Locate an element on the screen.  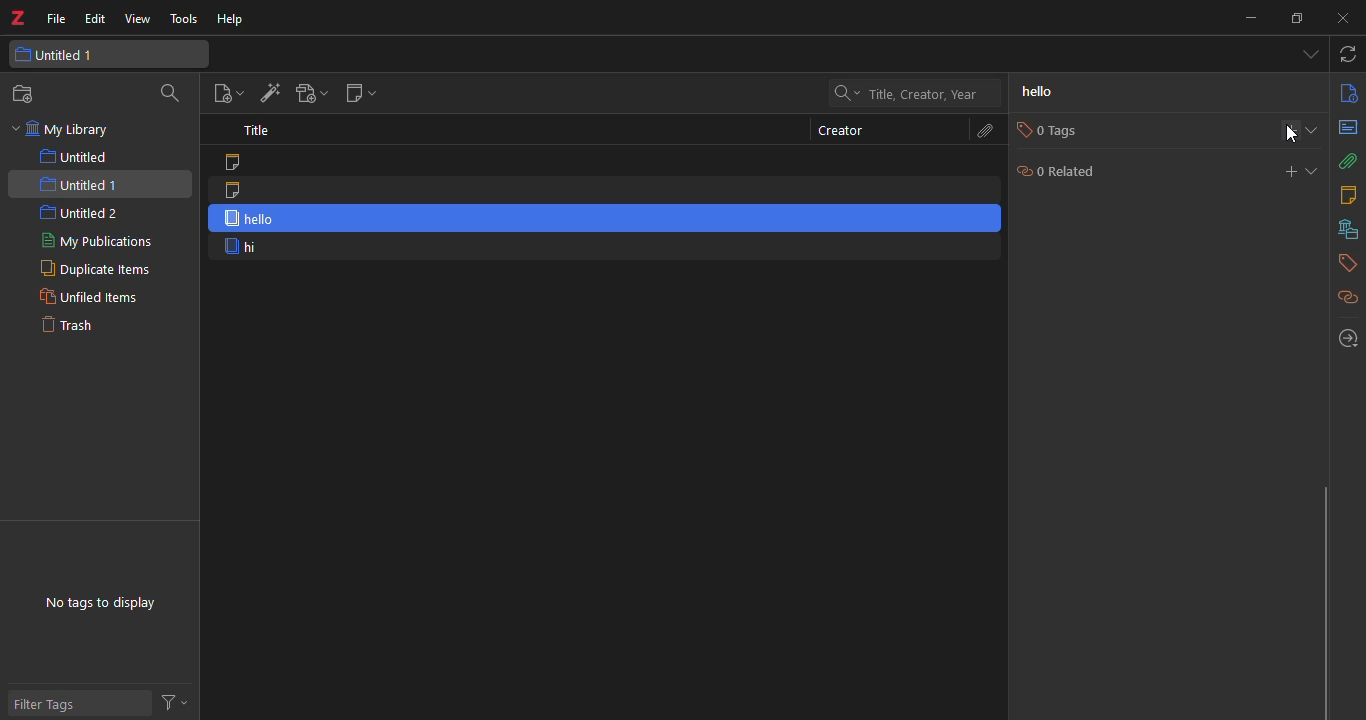
title is located at coordinates (261, 132).